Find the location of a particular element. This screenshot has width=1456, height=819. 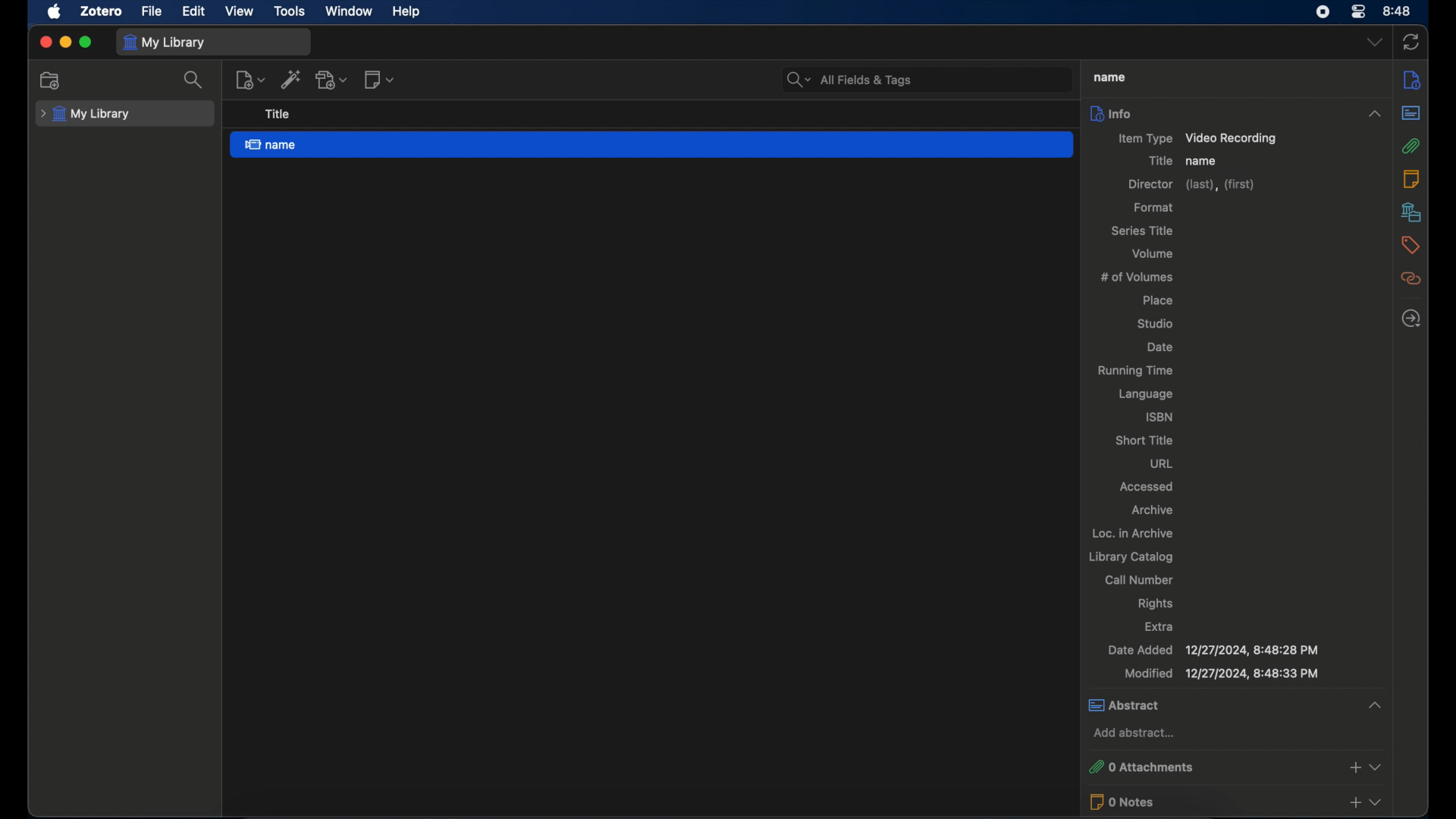

help is located at coordinates (408, 12).